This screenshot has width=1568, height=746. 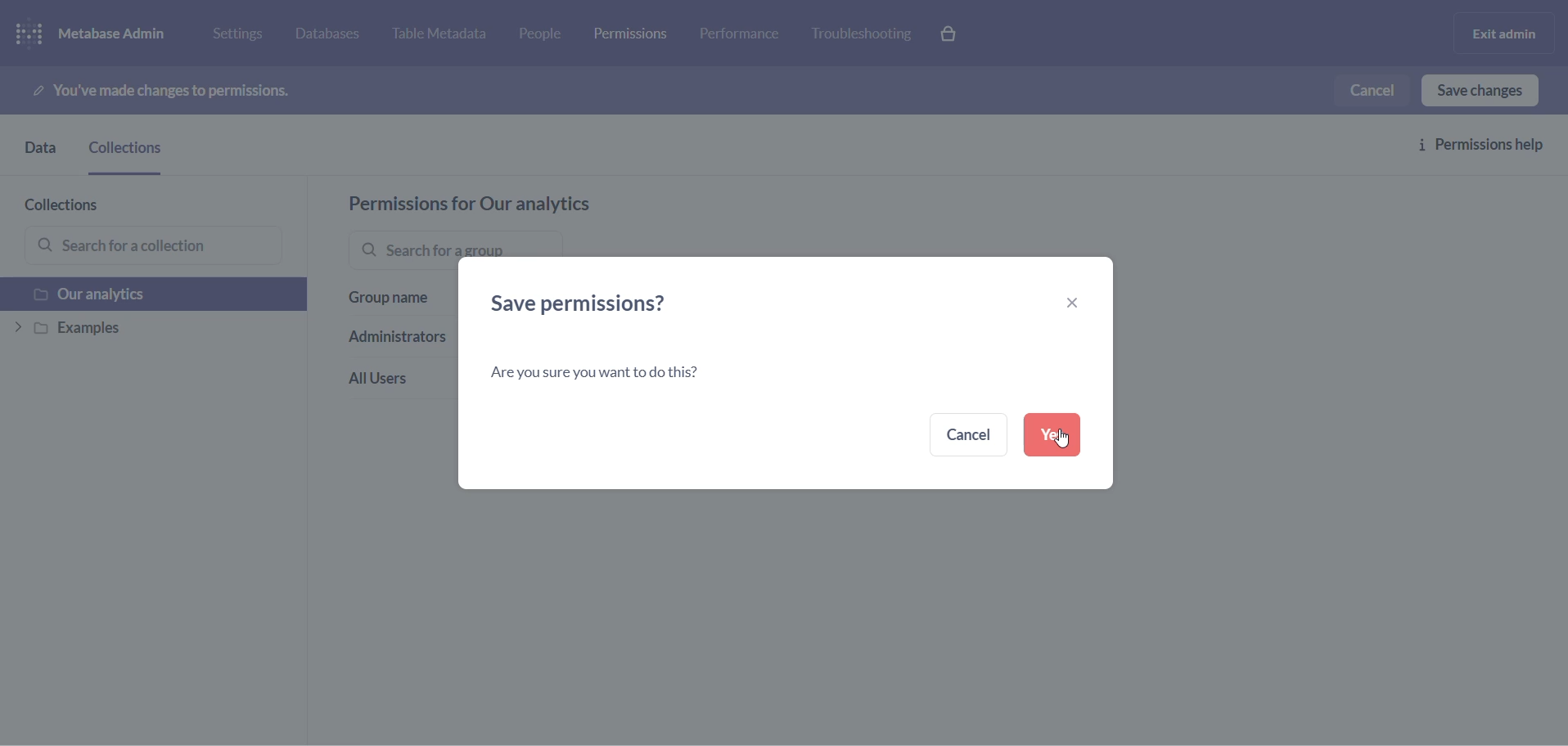 I want to click on troubleshooting, so click(x=863, y=34).